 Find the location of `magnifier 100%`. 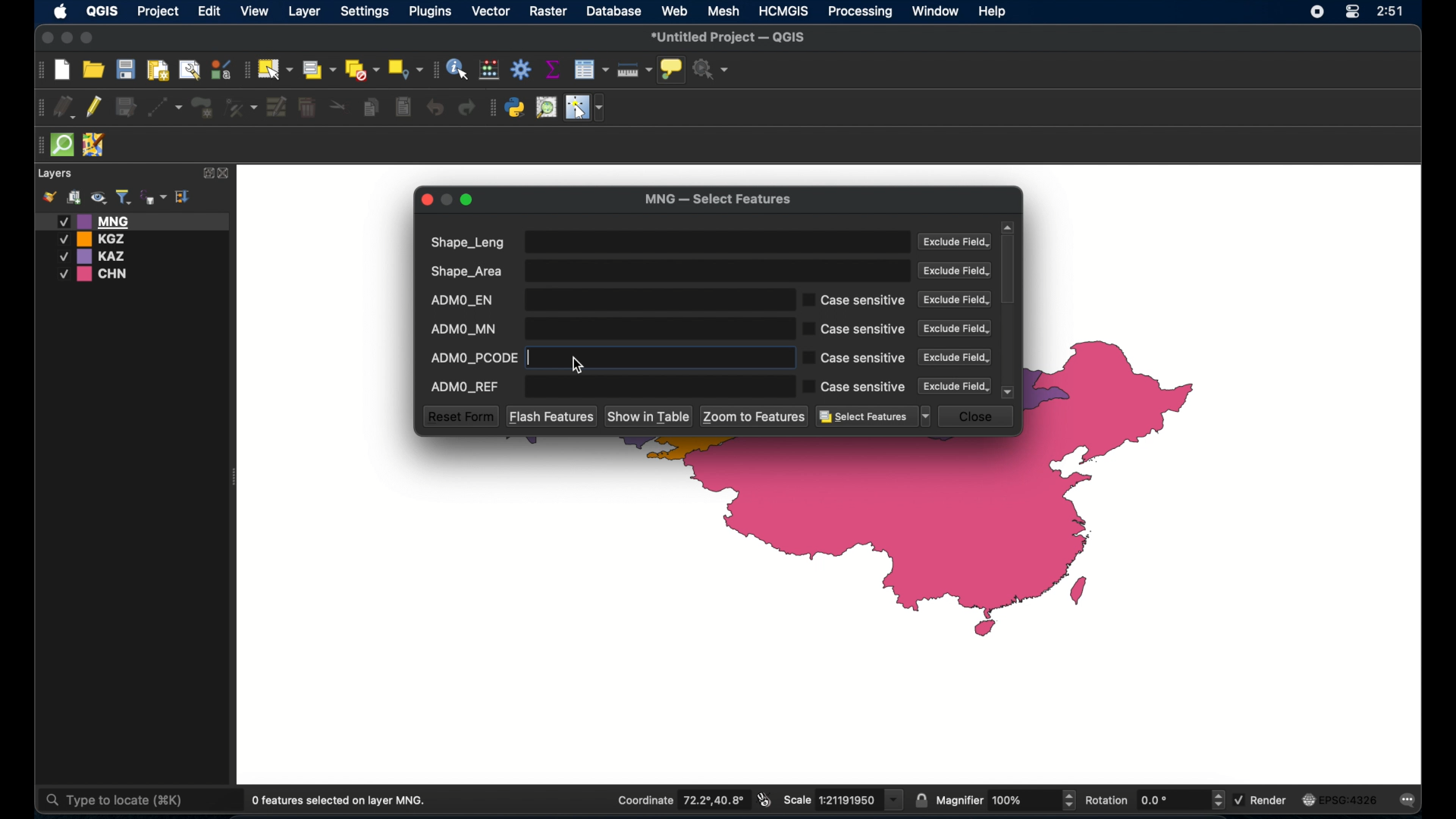

magnifier 100% is located at coordinates (1006, 800).